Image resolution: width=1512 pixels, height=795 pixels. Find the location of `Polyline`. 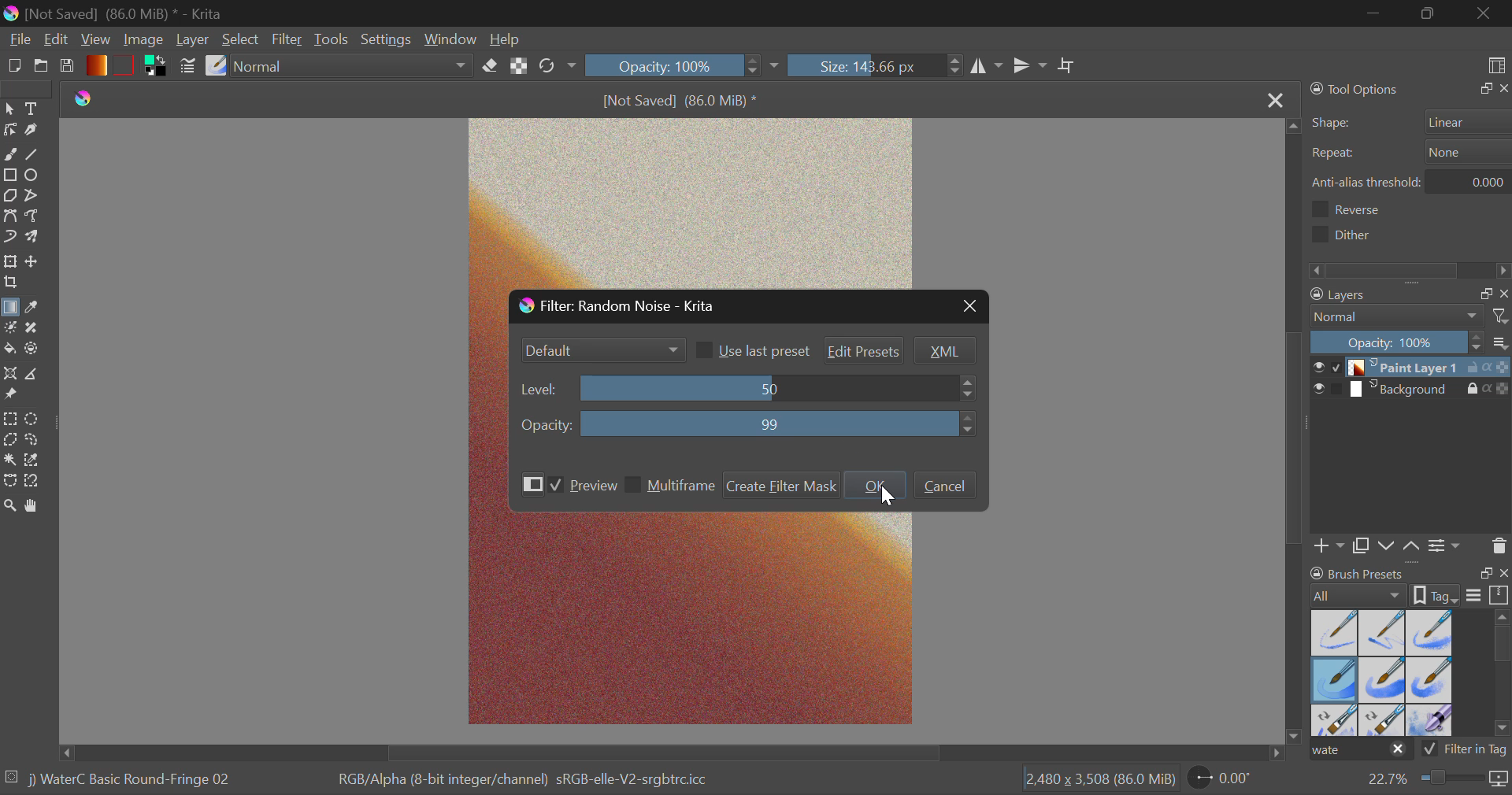

Polyline is located at coordinates (34, 196).